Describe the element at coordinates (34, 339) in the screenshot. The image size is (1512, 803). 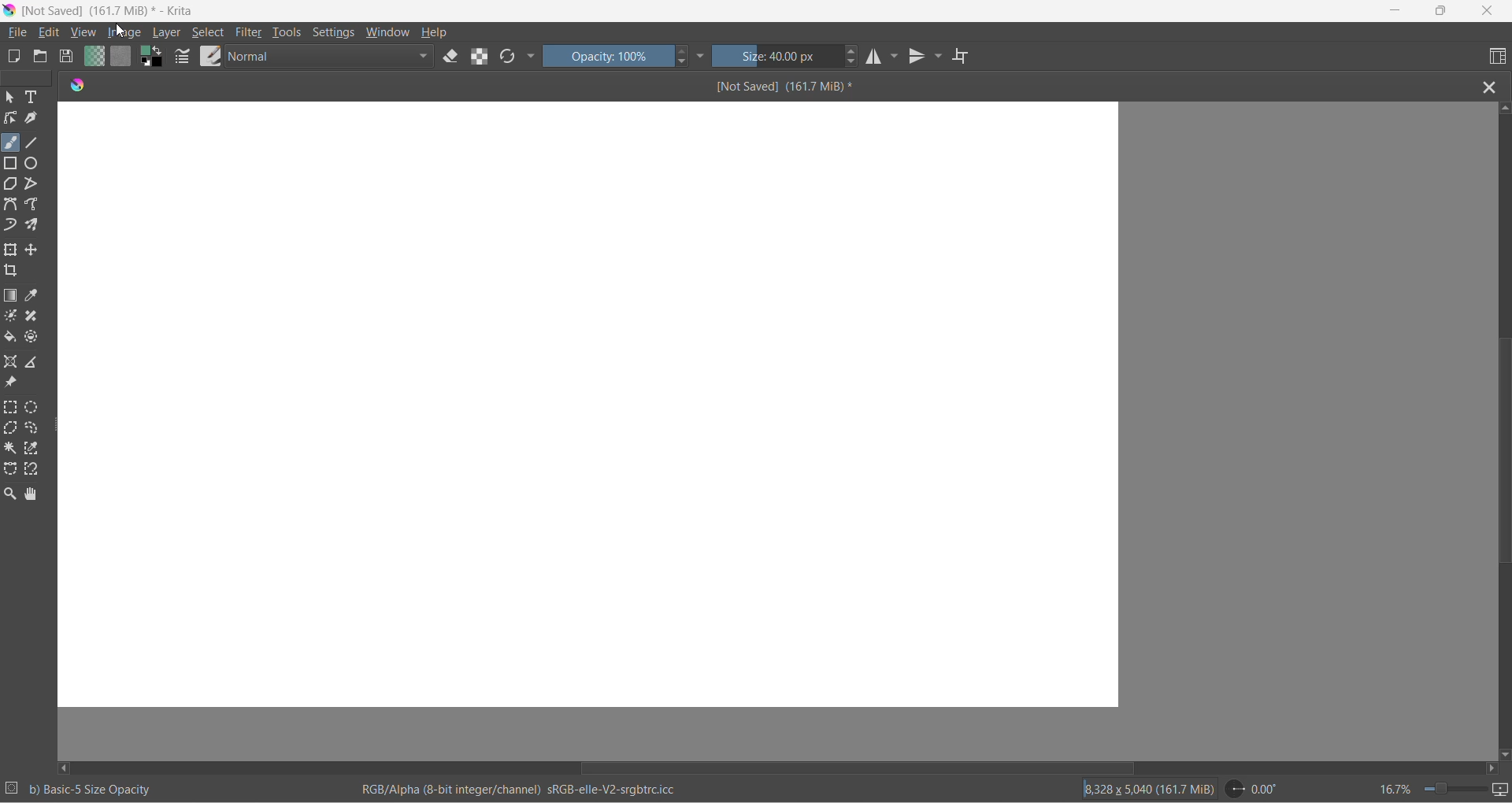
I see `enclose and fill tool` at that location.